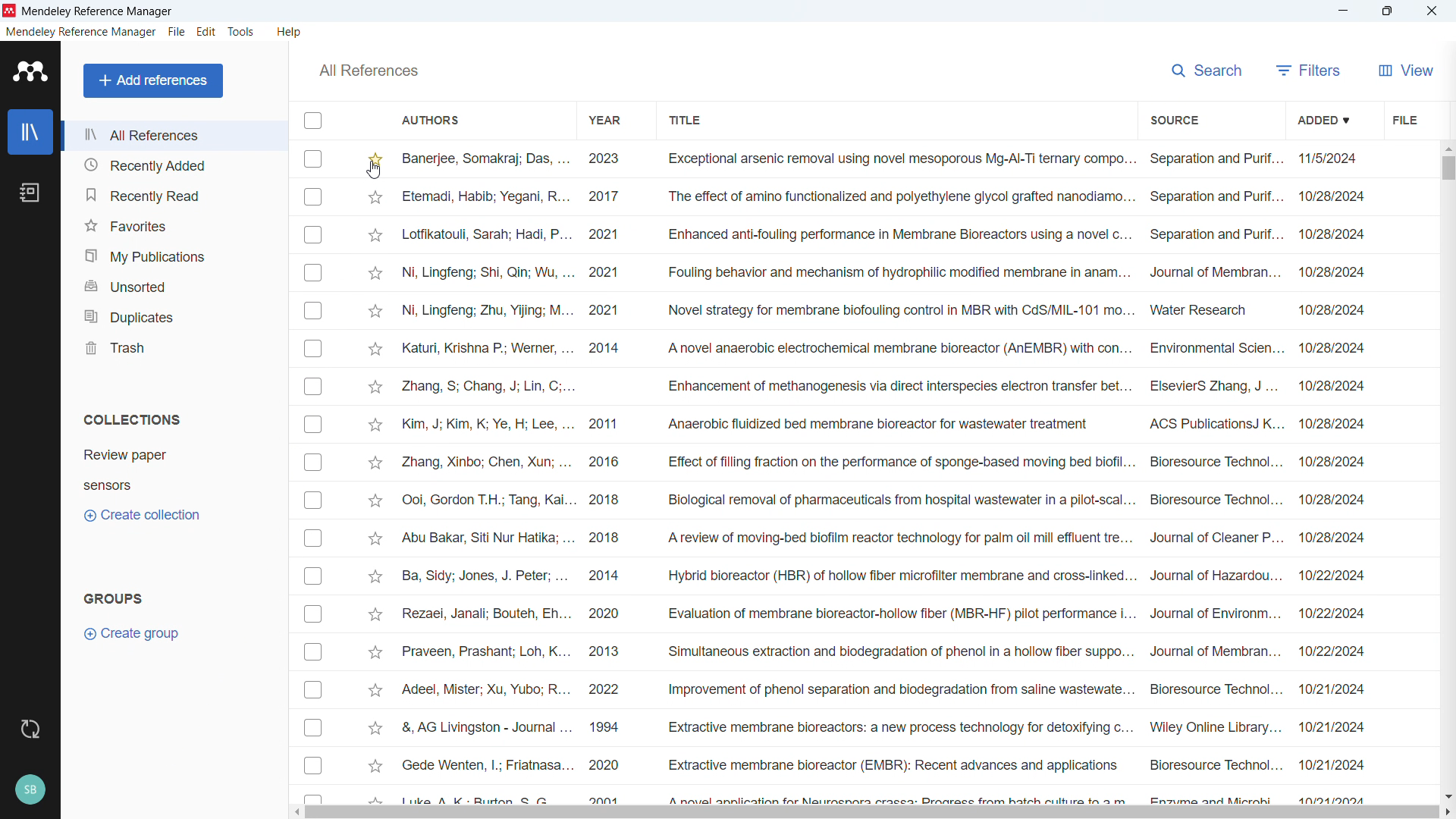 This screenshot has width=1456, height=819. I want to click on Scroll down , so click(1447, 795).